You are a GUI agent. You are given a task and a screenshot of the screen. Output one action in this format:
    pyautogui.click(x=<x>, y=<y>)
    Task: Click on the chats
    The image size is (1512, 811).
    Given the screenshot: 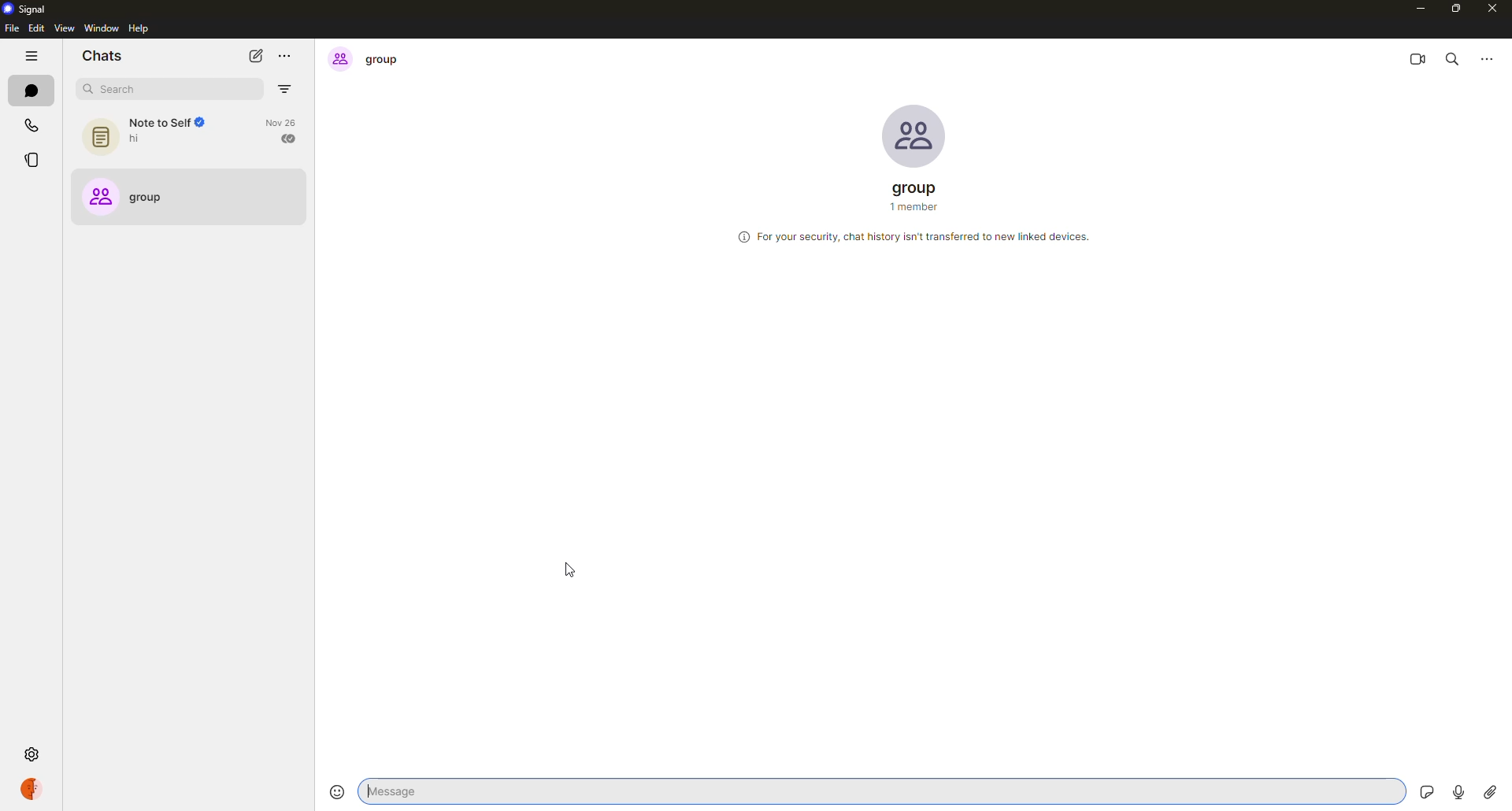 What is the action you would take?
    pyautogui.click(x=29, y=91)
    